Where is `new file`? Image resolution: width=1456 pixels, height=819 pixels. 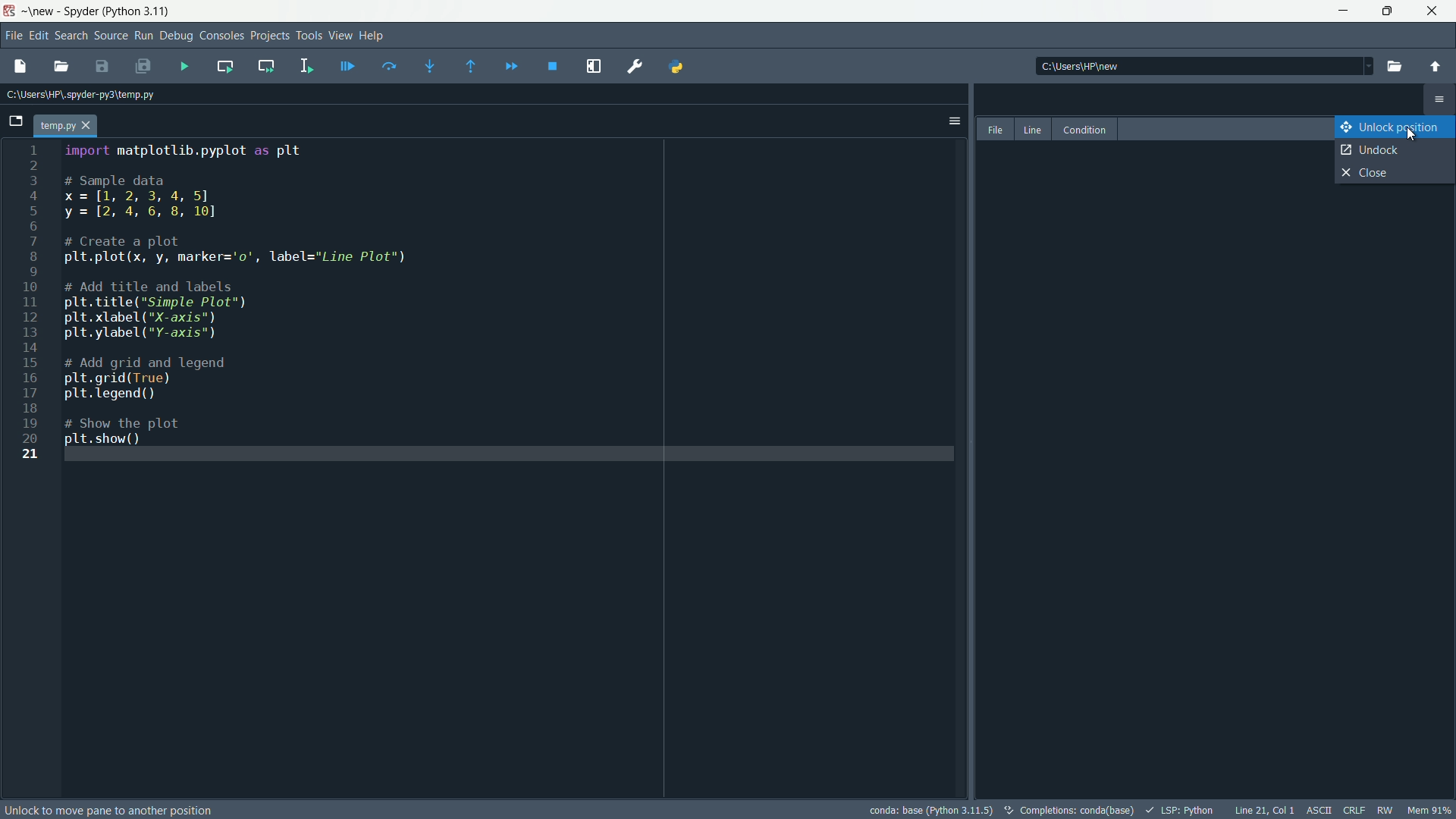 new file is located at coordinates (18, 65).